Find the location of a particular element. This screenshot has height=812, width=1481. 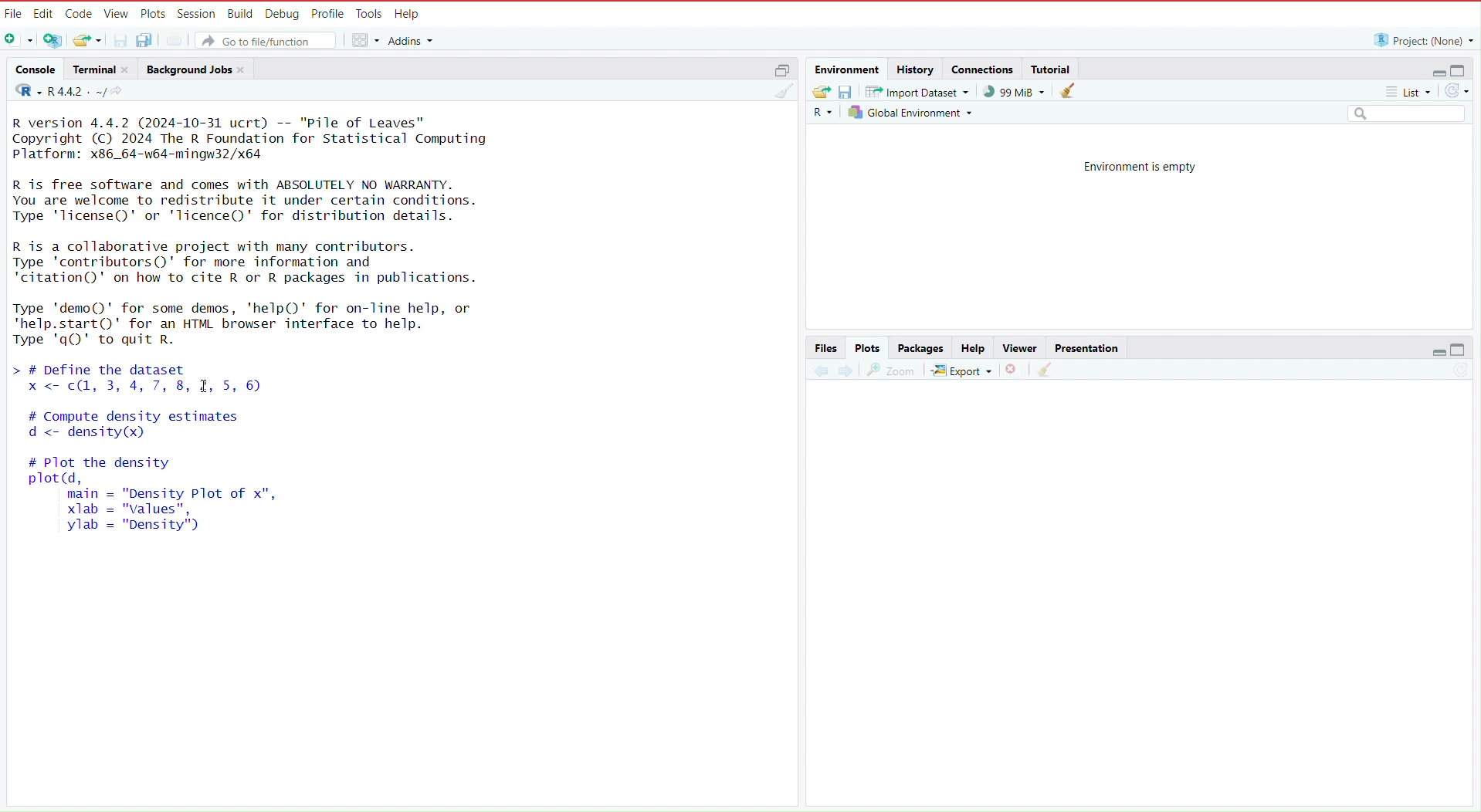

file is located at coordinates (14, 12).